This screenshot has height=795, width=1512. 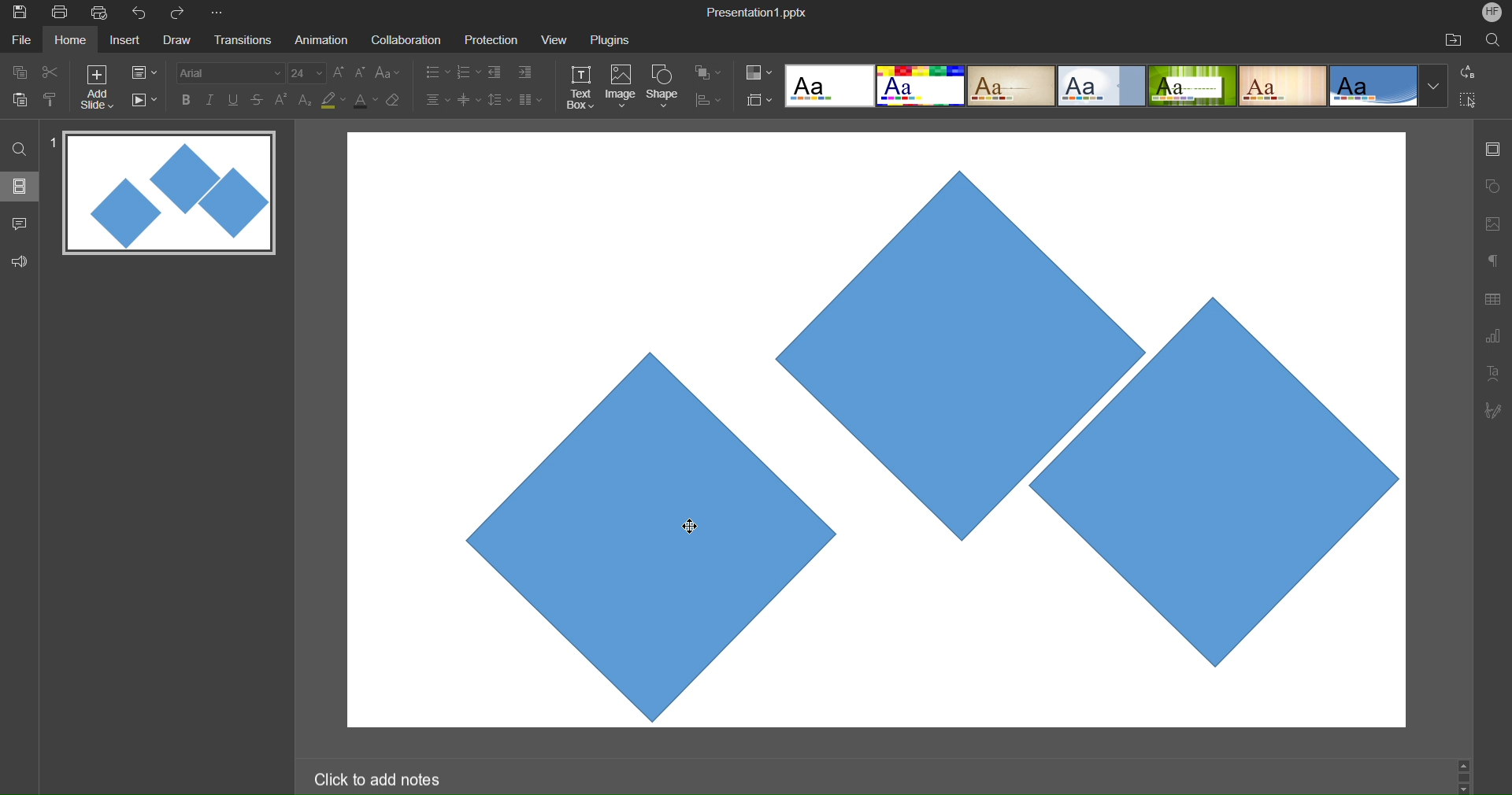 What do you see at coordinates (209, 100) in the screenshot?
I see `Italic` at bounding box center [209, 100].